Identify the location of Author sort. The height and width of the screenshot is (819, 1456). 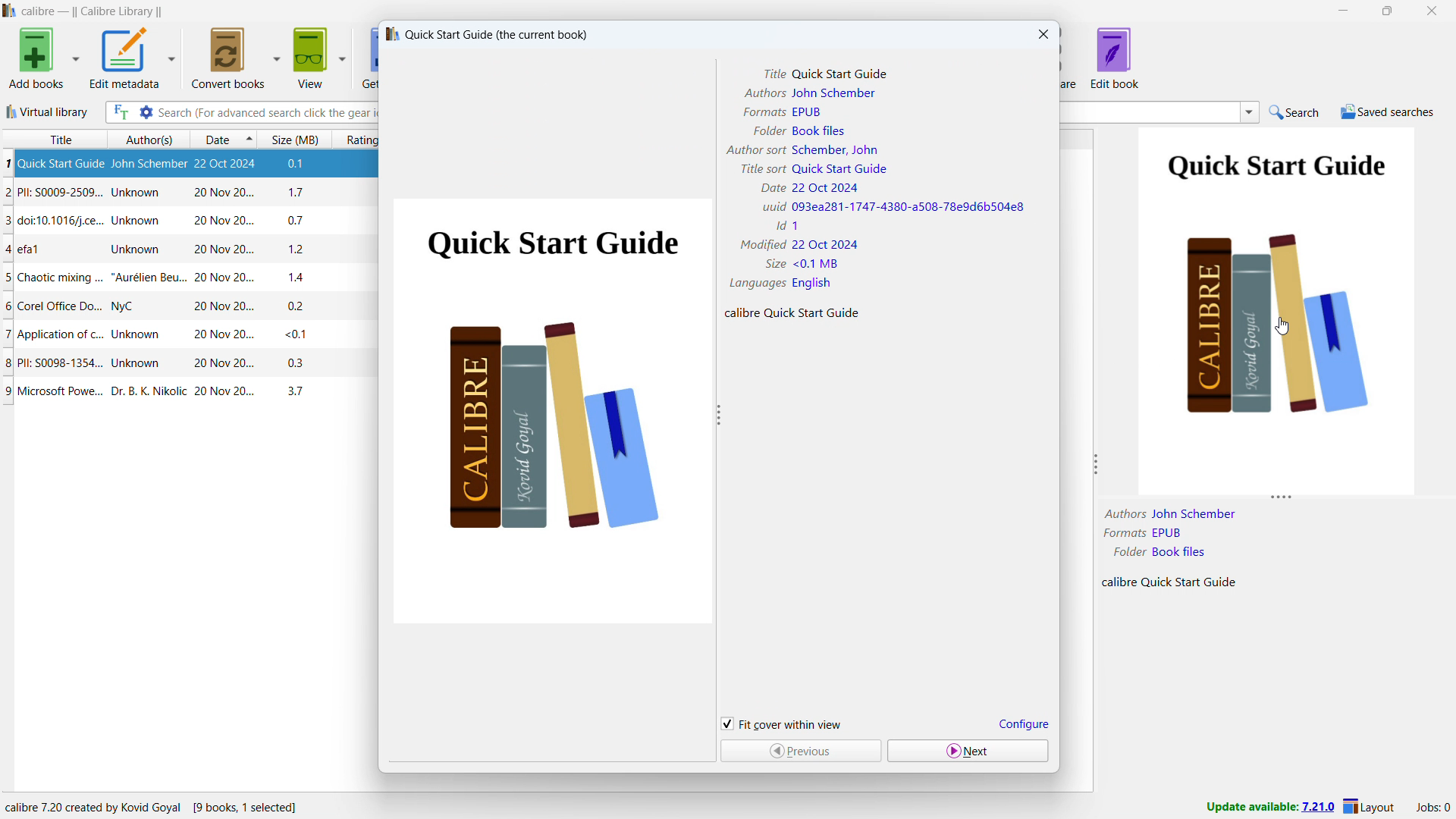
(755, 150).